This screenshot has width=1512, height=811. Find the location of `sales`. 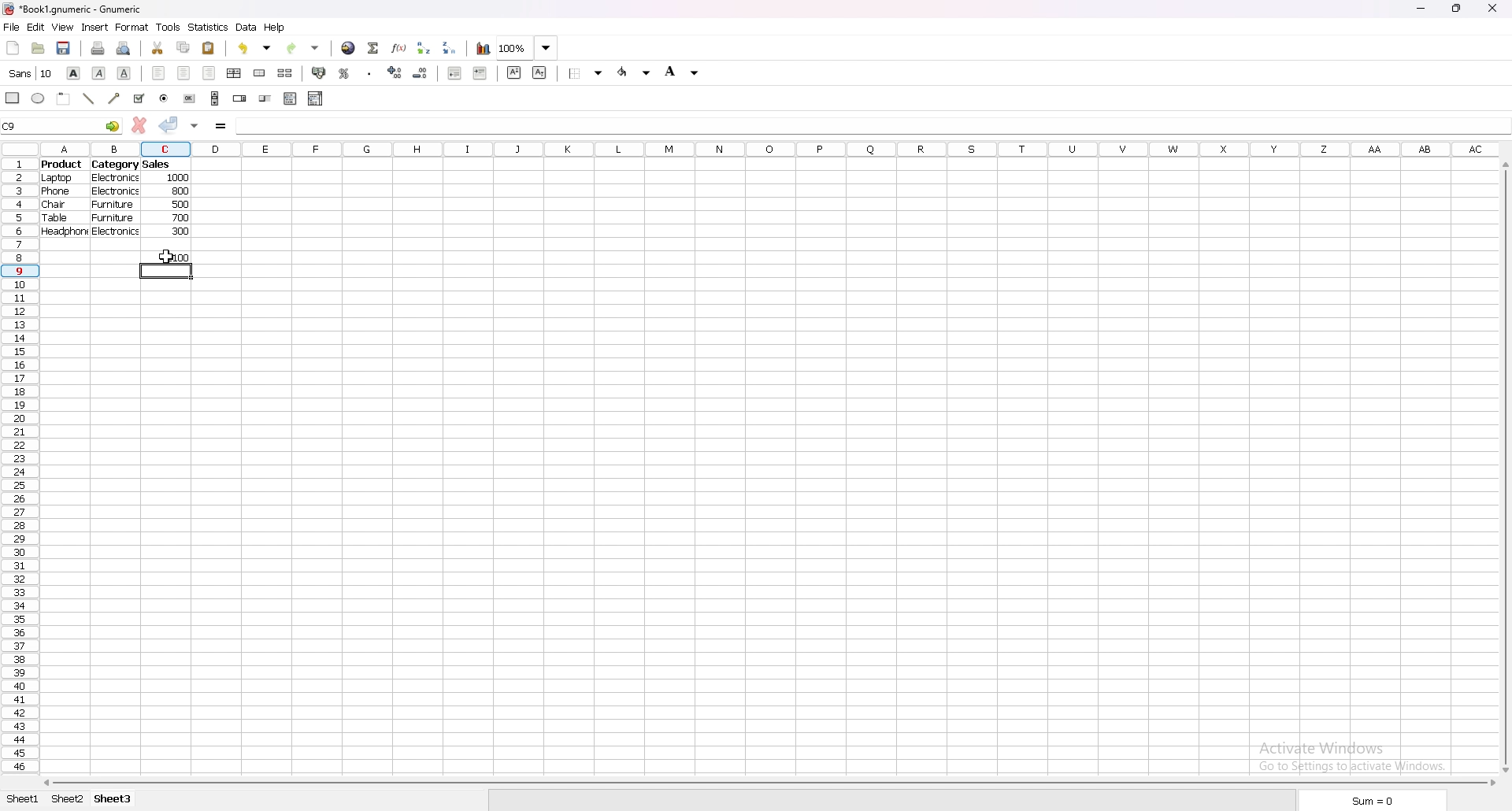

sales is located at coordinates (157, 164).